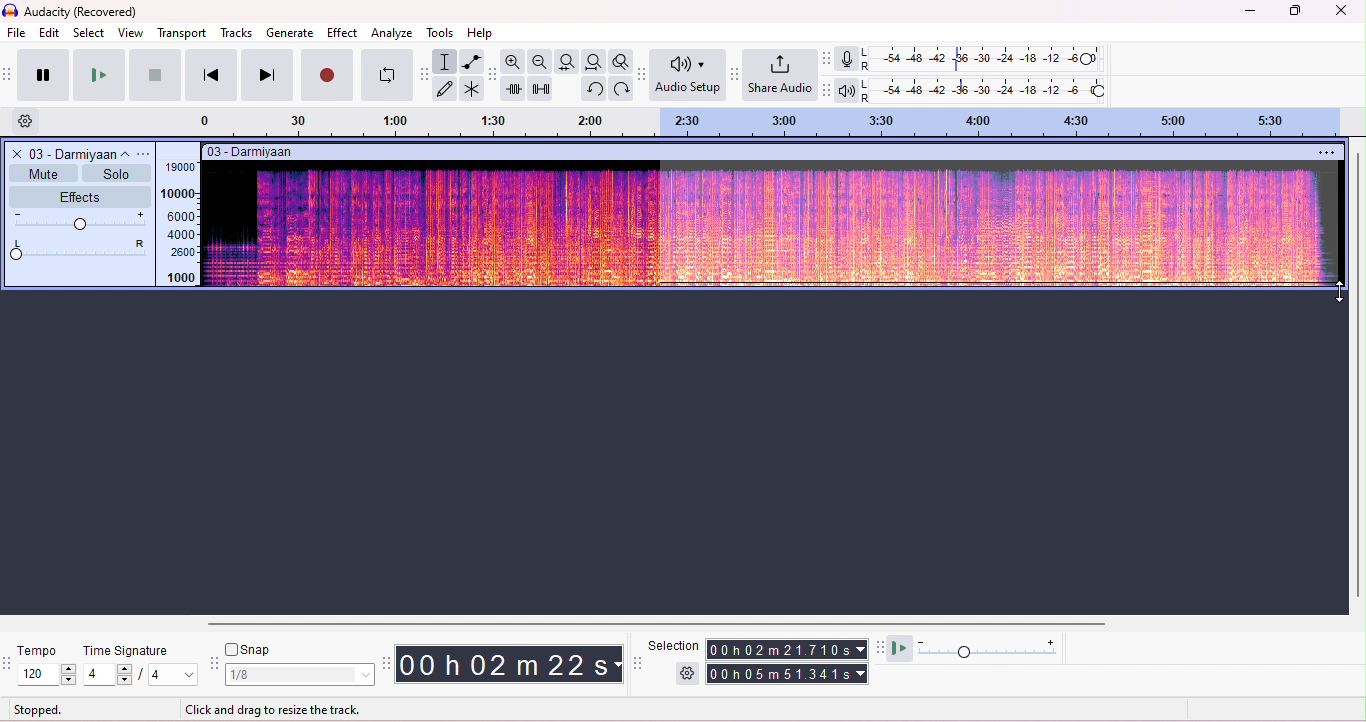 This screenshot has width=1366, height=722. What do you see at coordinates (736, 74) in the screenshot?
I see `share audio tool bar` at bounding box center [736, 74].